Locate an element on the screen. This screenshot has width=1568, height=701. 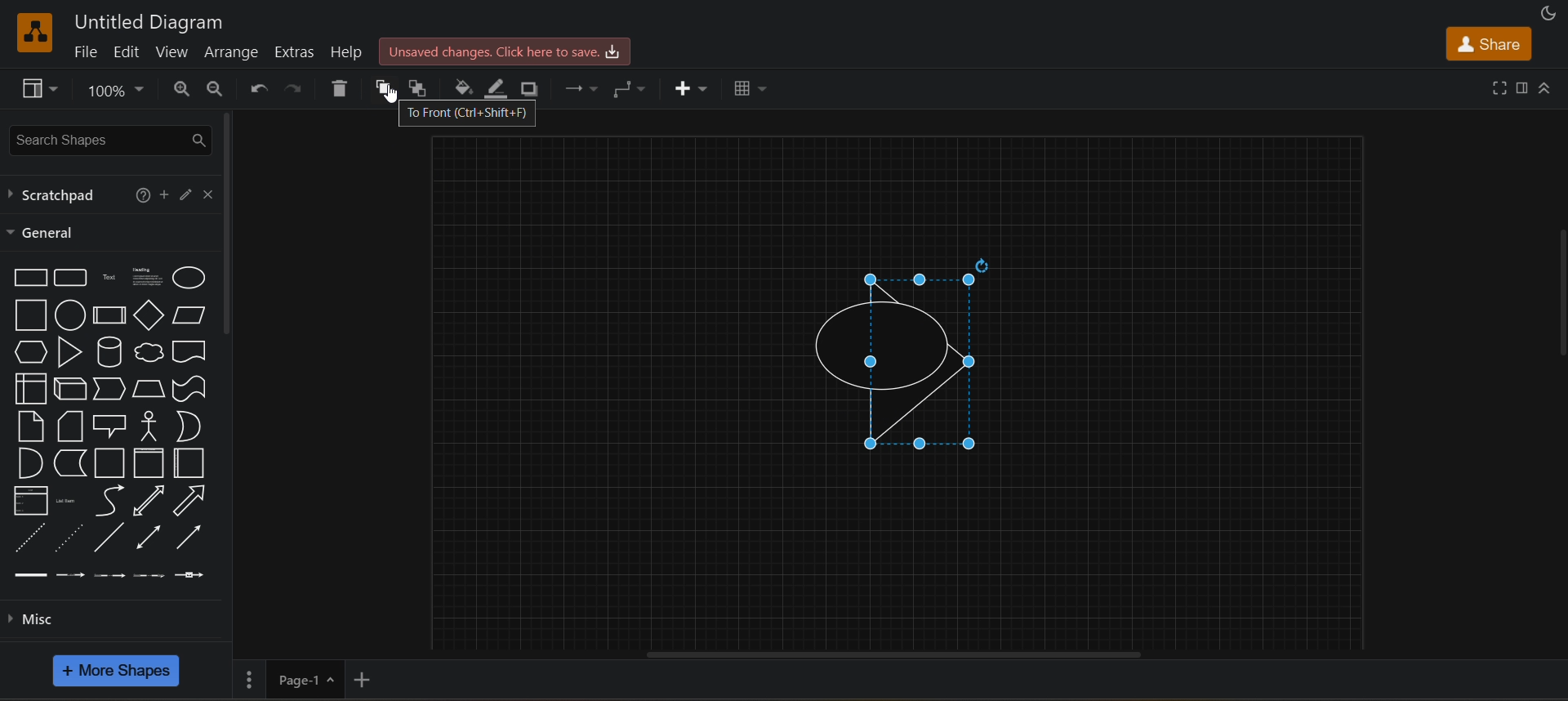
collapse/expand is located at coordinates (1546, 85).